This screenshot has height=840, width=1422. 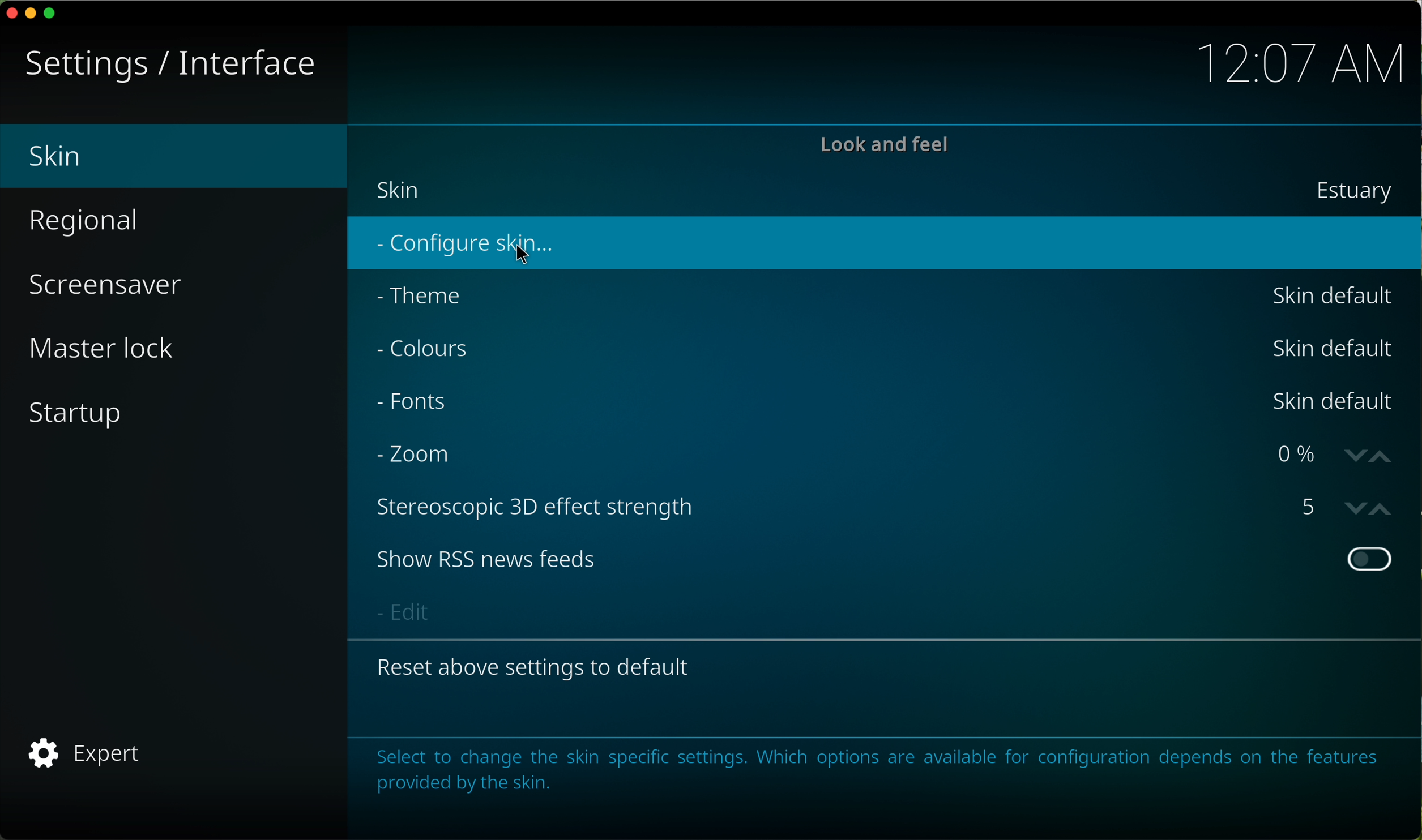 What do you see at coordinates (1368, 509) in the screenshot?
I see `arrows` at bounding box center [1368, 509].